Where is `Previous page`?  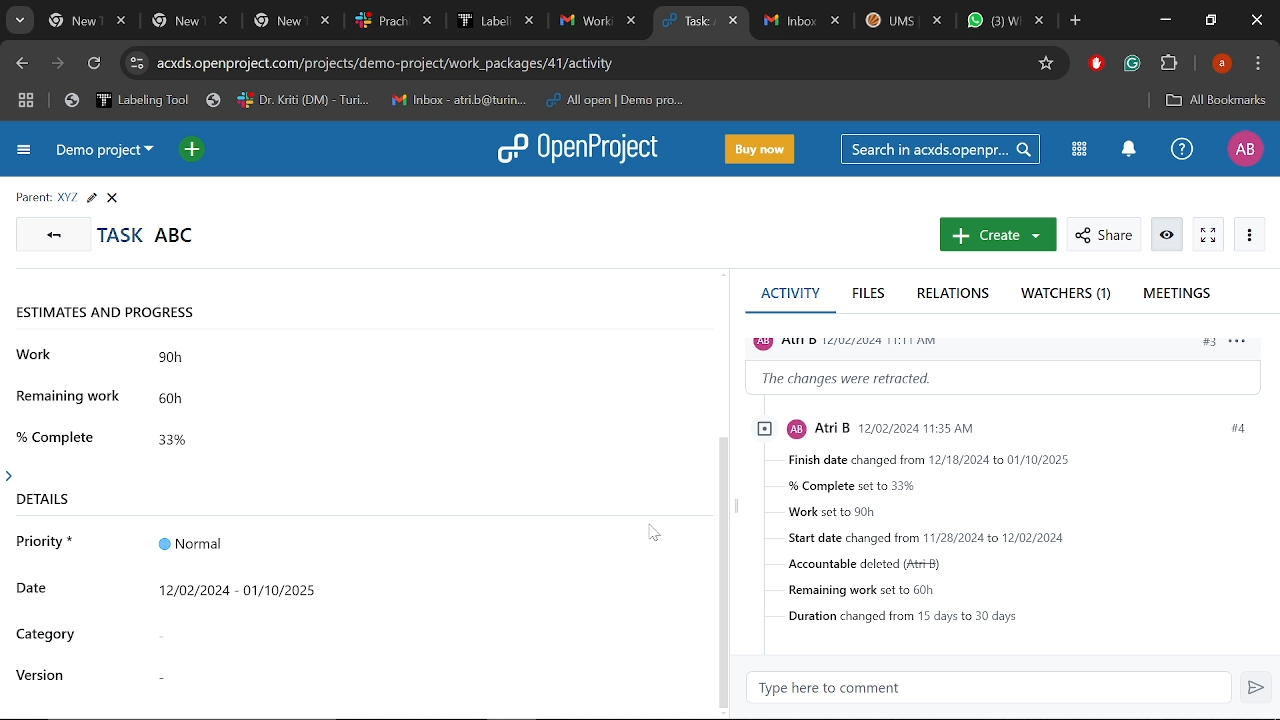
Previous page is located at coordinates (23, 64).